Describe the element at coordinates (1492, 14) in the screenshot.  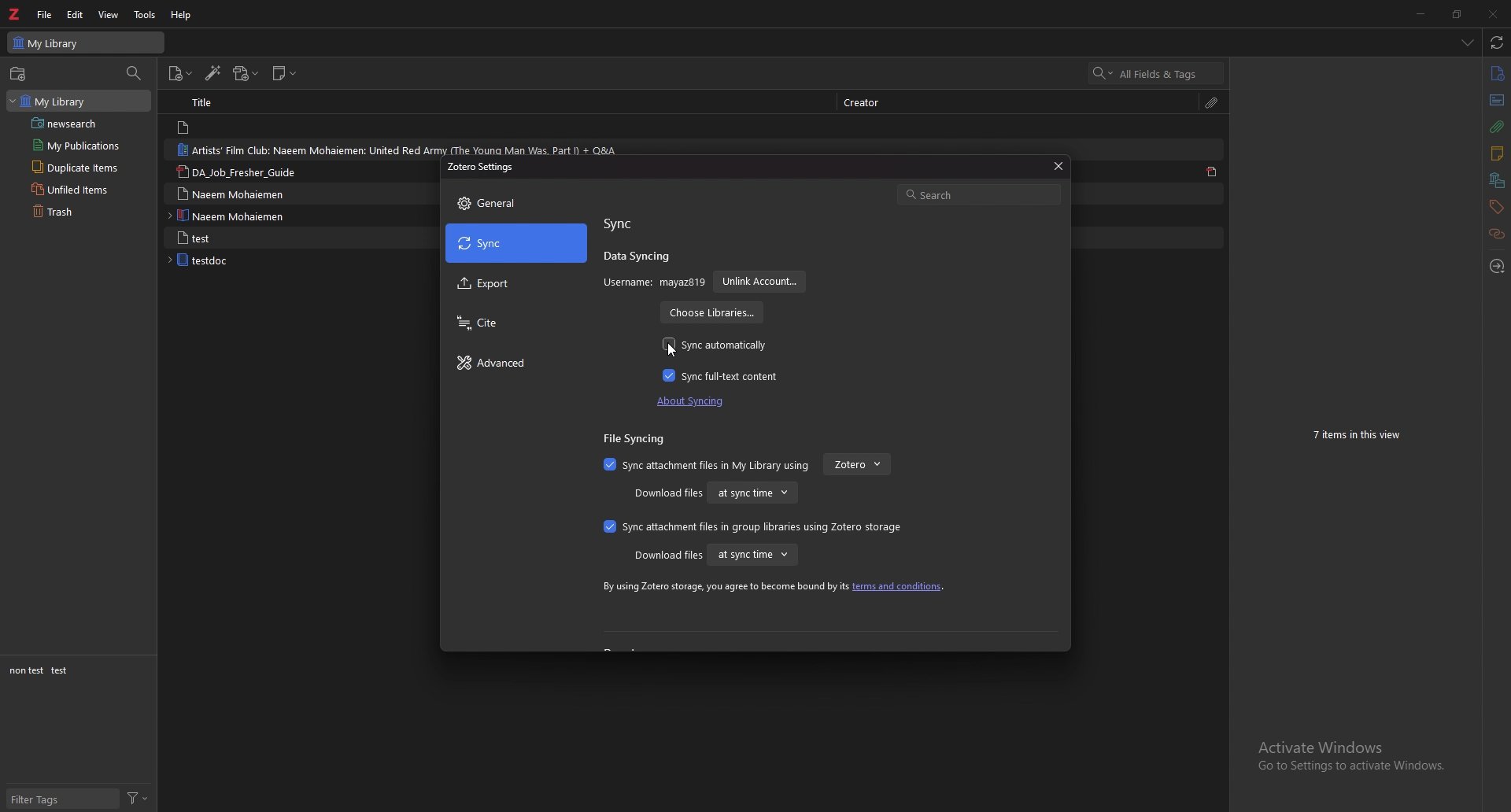
I see `close` at that location.